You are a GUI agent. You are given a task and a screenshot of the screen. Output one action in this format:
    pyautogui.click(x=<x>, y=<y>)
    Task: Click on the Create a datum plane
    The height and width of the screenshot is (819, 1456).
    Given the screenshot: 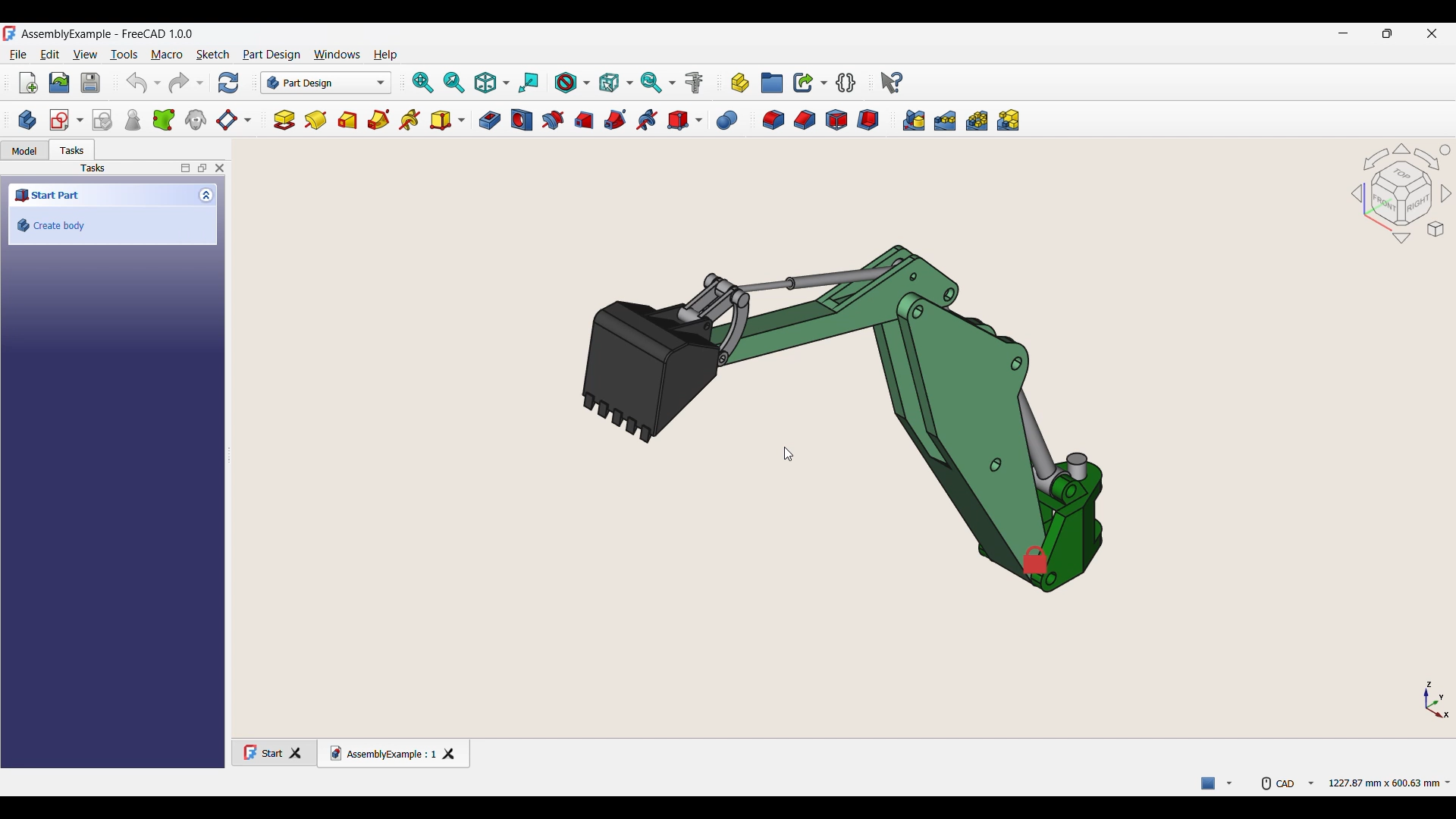 What is the action you would take?
    pyautogui.click(x=235, y=121)
    